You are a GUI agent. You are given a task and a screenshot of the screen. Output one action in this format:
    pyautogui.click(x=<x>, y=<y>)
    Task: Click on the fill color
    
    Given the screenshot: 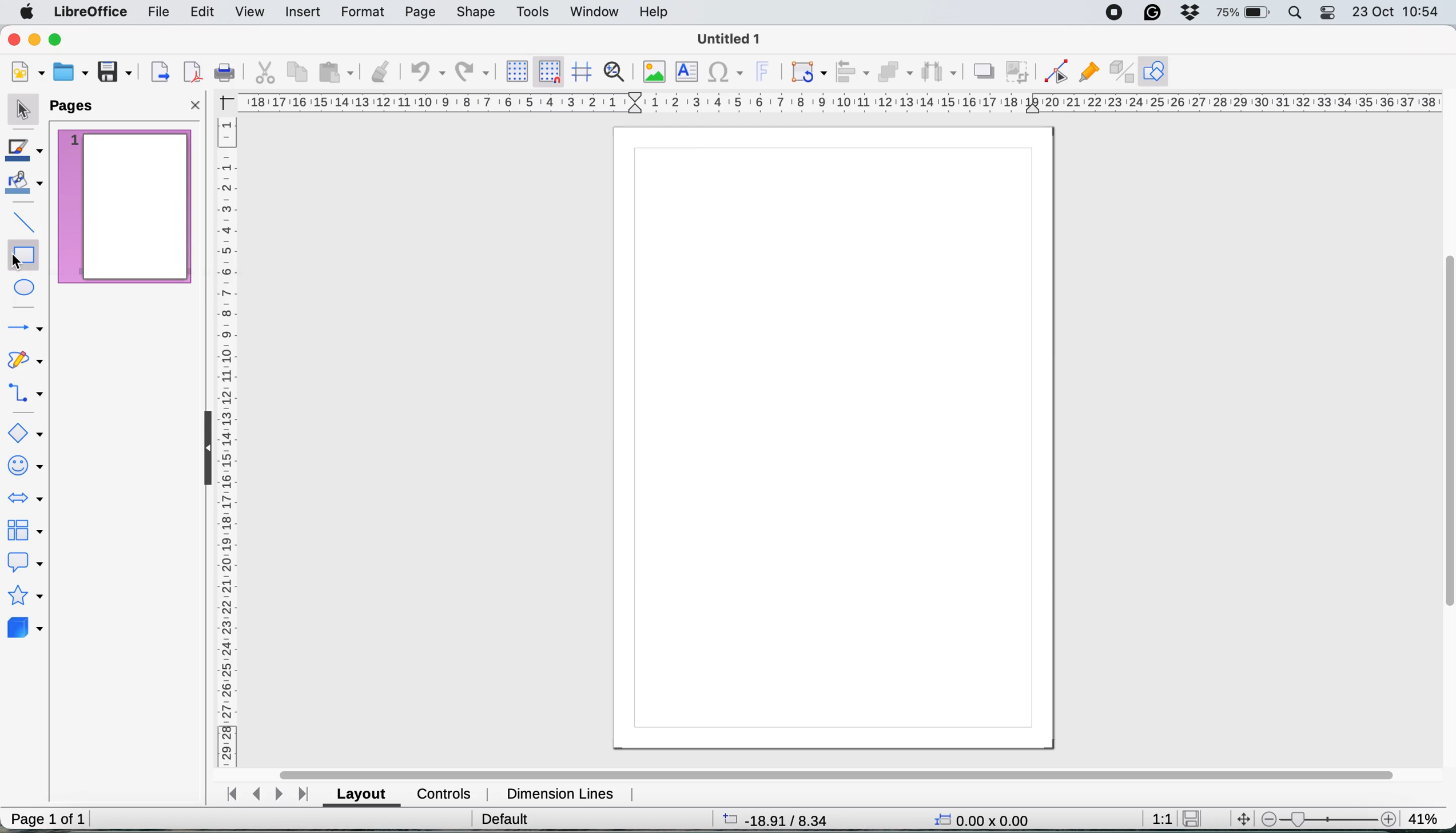 What is the action you would take?
    pyautogui.click(x=27, y=187)
    